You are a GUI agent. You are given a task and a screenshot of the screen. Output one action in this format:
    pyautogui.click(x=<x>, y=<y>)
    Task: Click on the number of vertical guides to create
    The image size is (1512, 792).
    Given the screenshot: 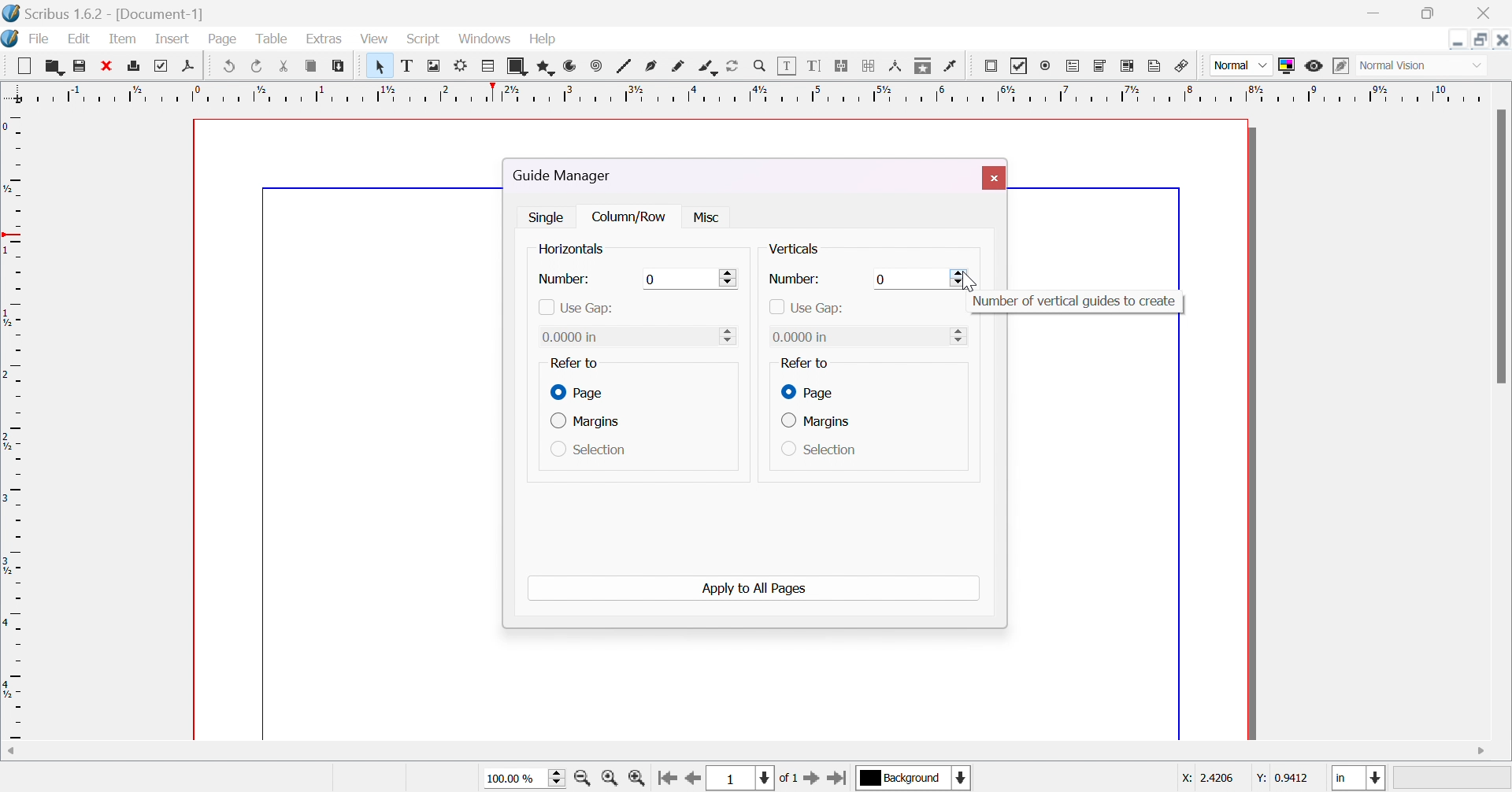 What is the action you would take?
    pyautogui.click(x=1076, y=302)
    